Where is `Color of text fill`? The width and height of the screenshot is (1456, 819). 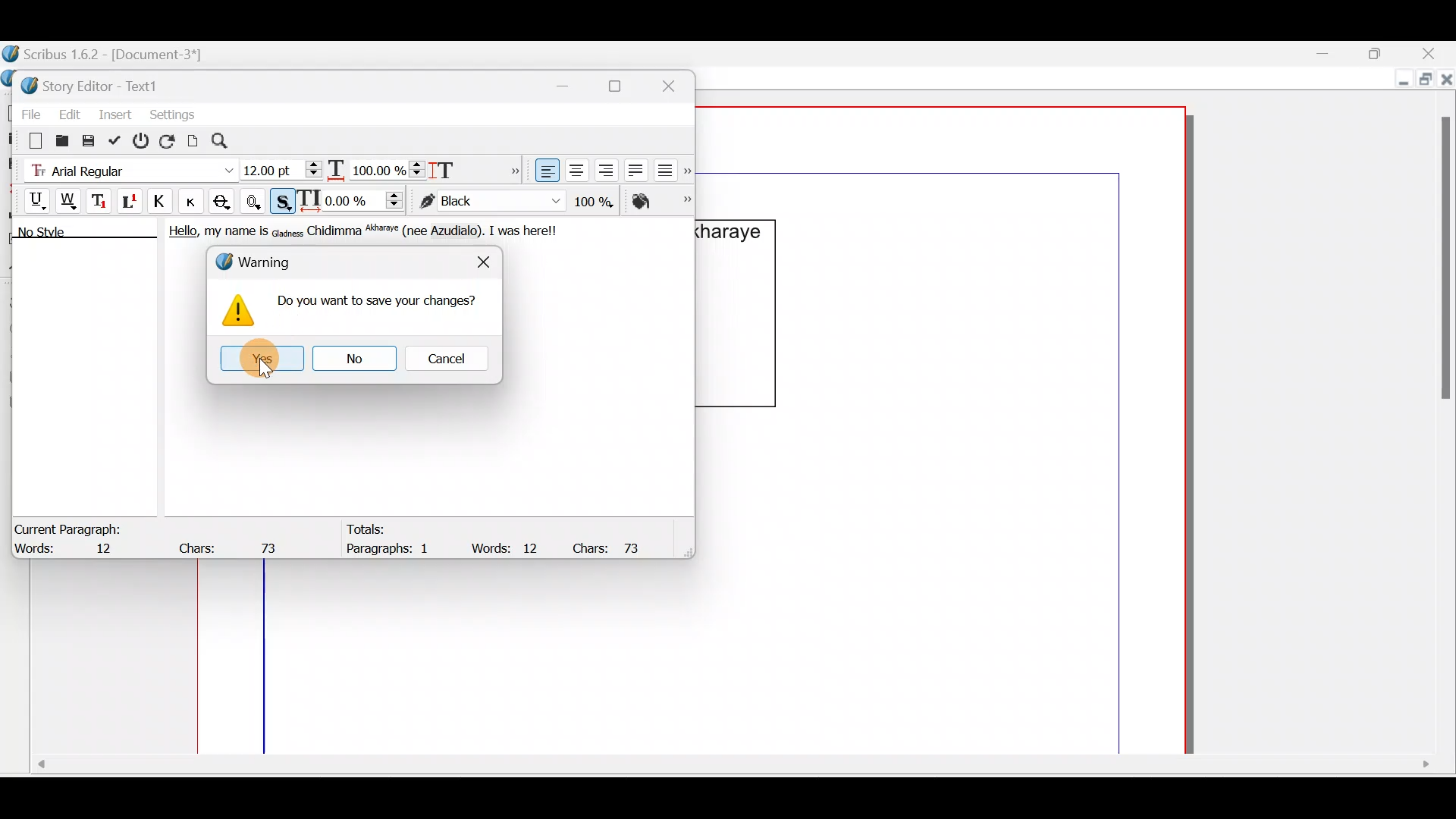
Color of text fill is located at coordinates (660, 201).